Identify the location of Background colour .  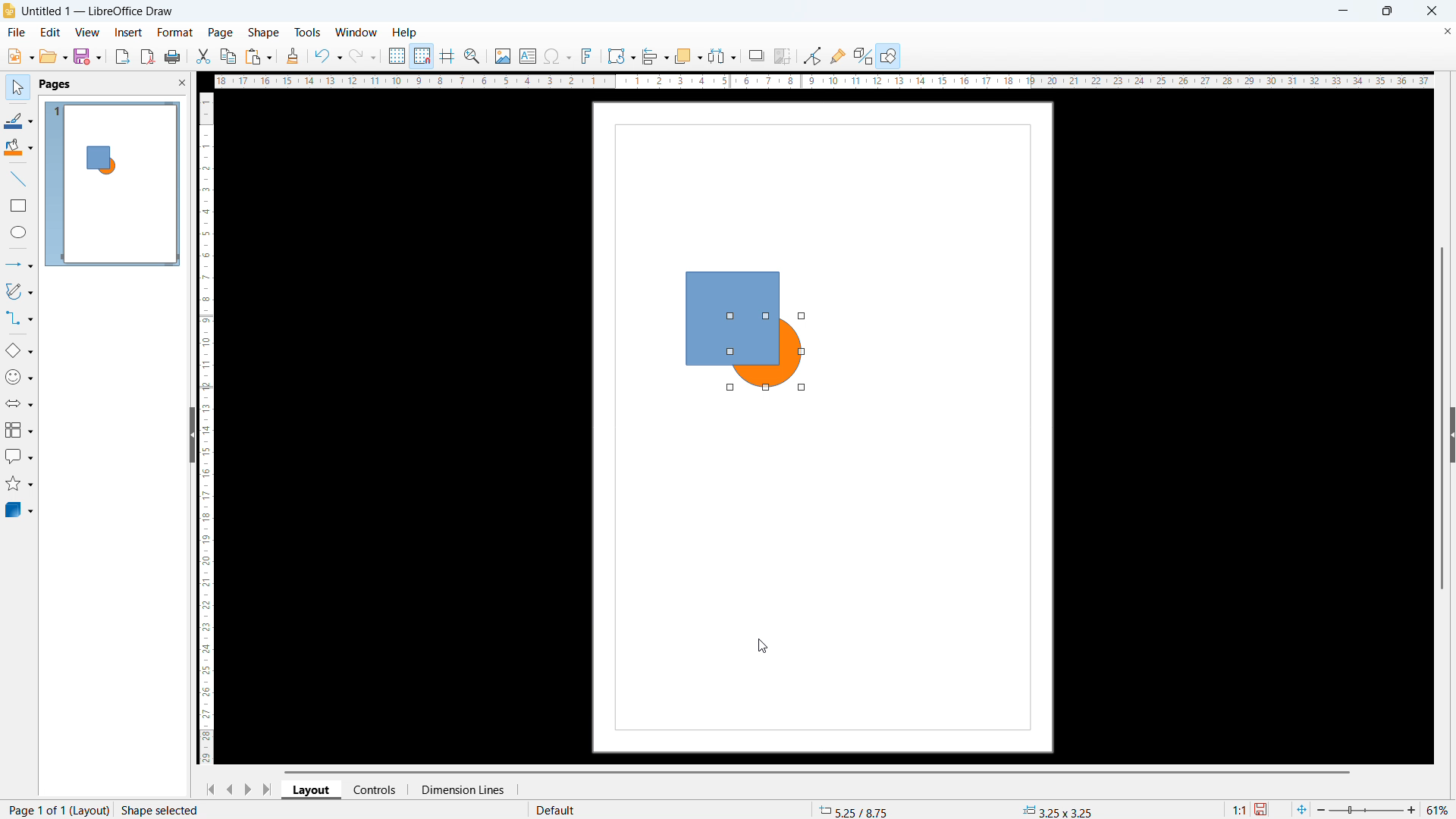
(19, 149).